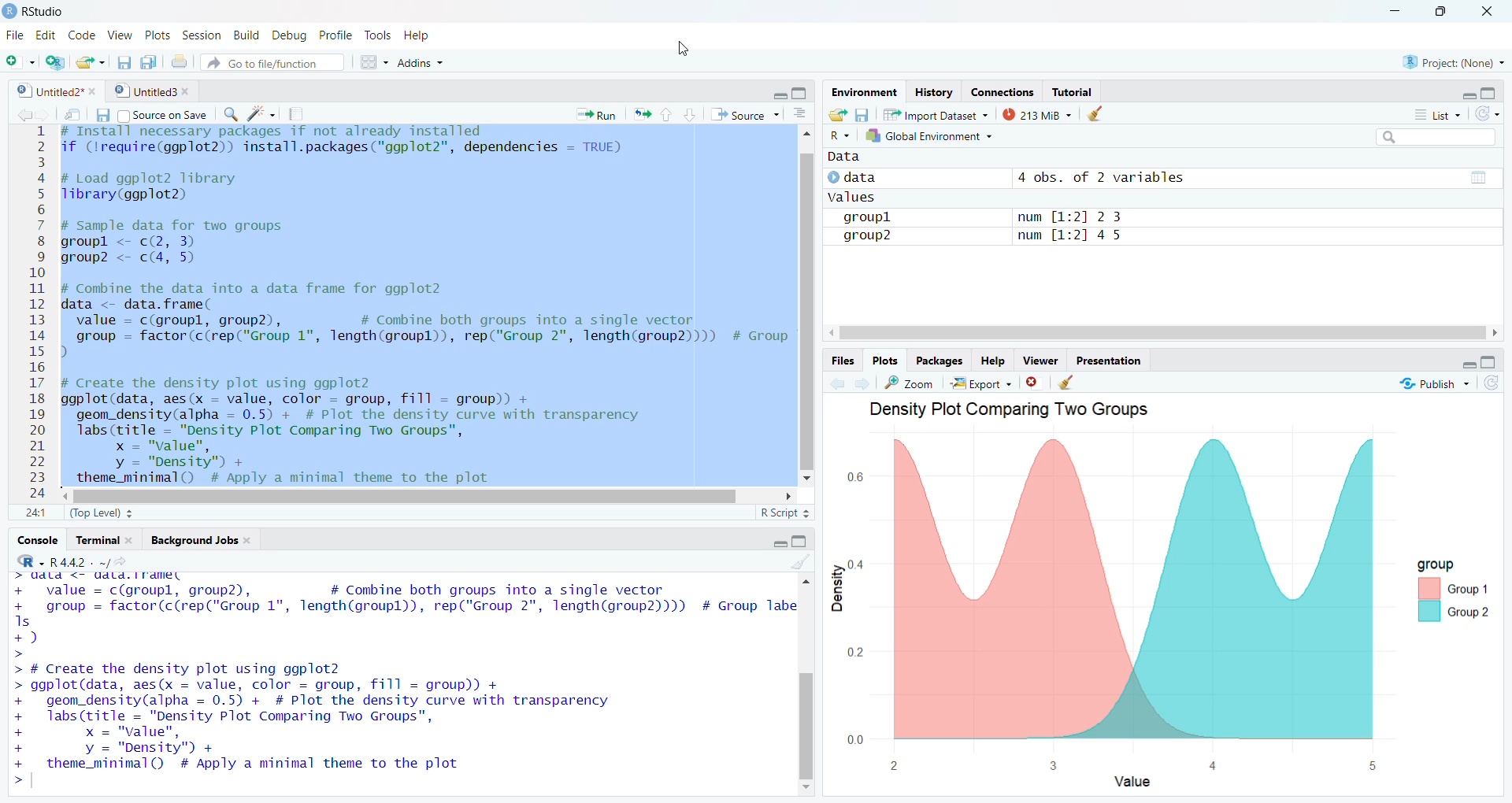 Image resolution: width=1512 pixels, height=803 pixels. What do you see at coordinates (422, 39) in the screenshot?
I see `help` at bounding box center [422, 39].